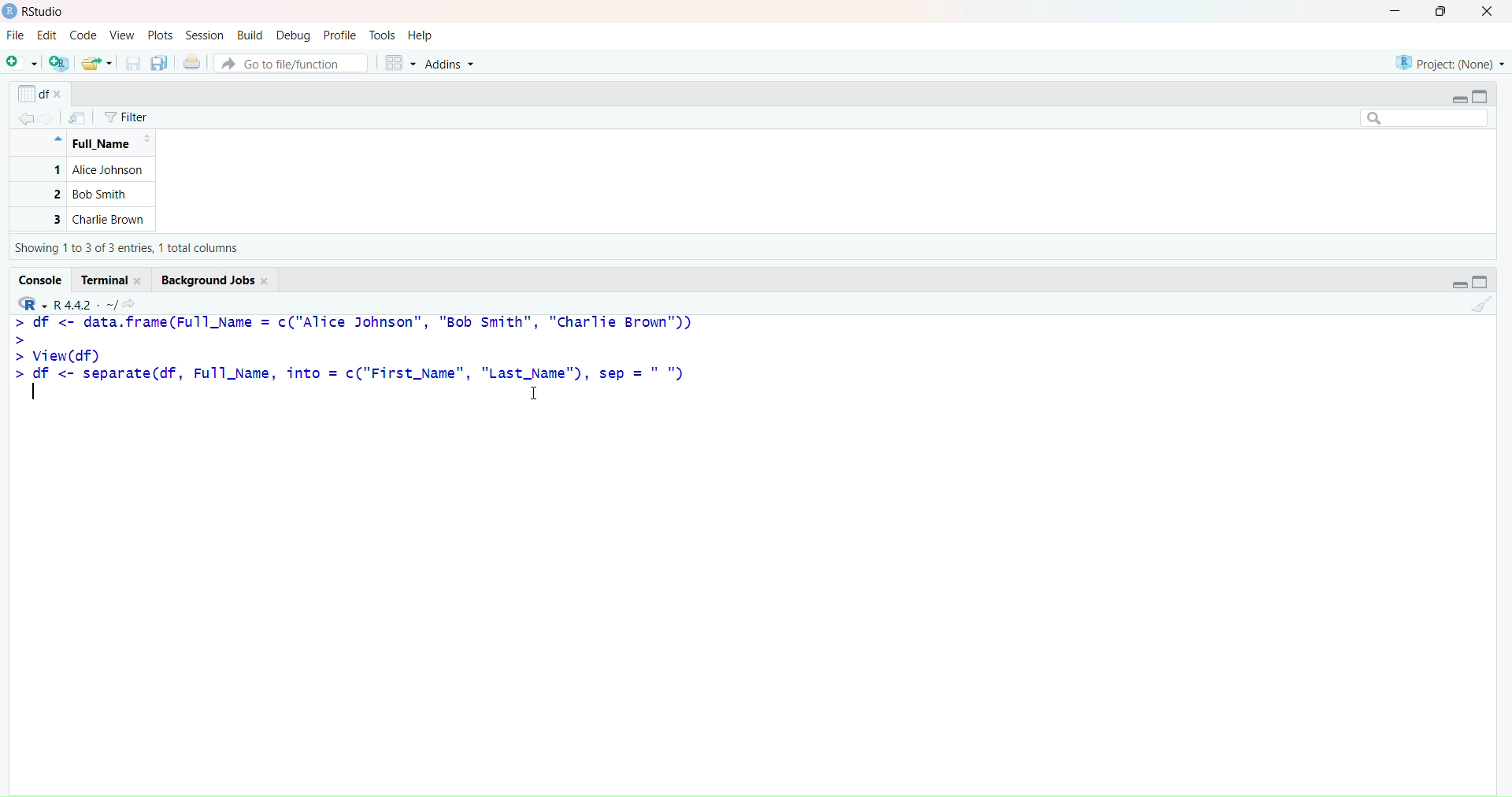  I want to click on Profile, so click(340, 35).